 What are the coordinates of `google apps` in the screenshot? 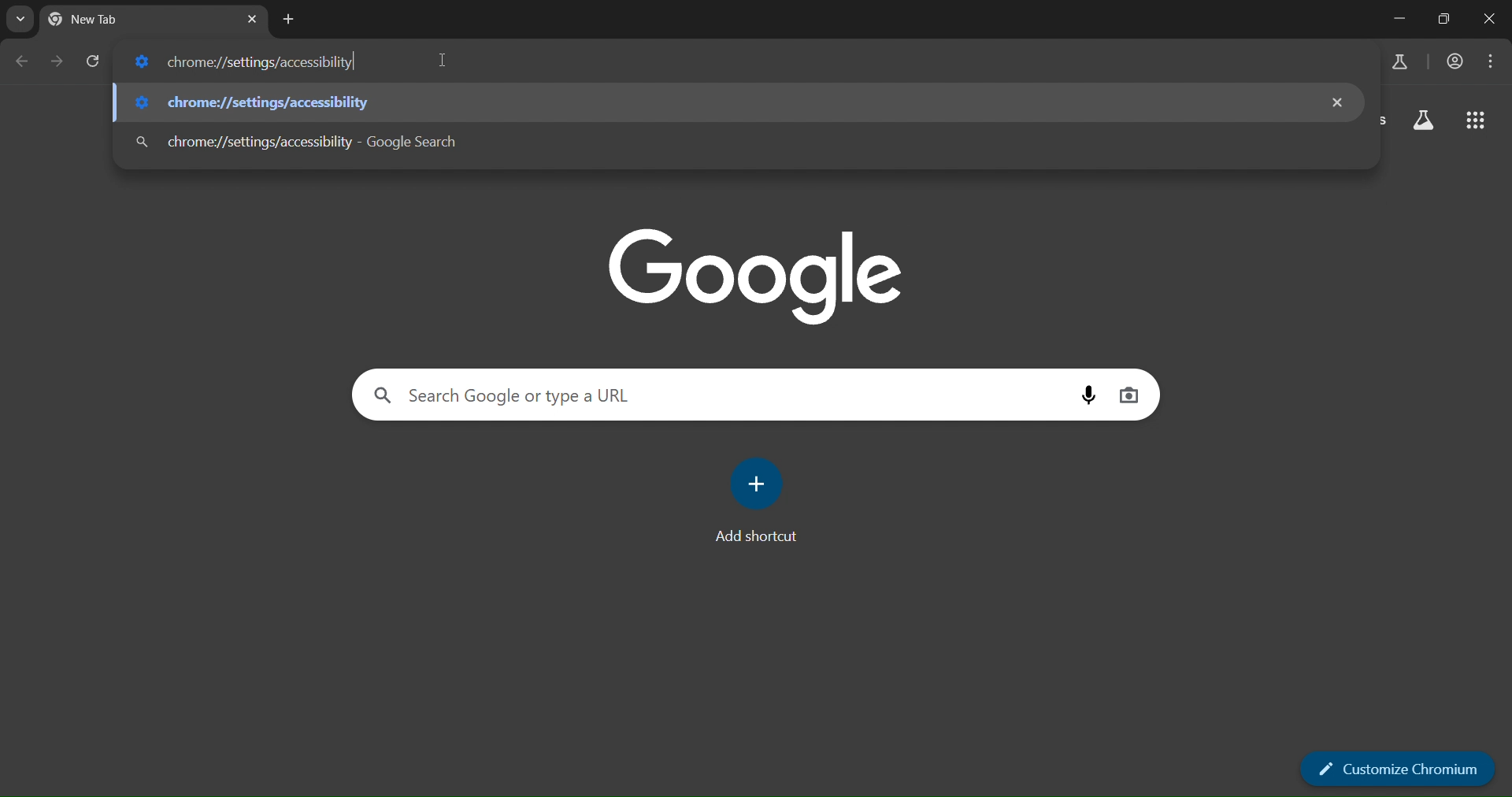 It's located at (1473, 121).